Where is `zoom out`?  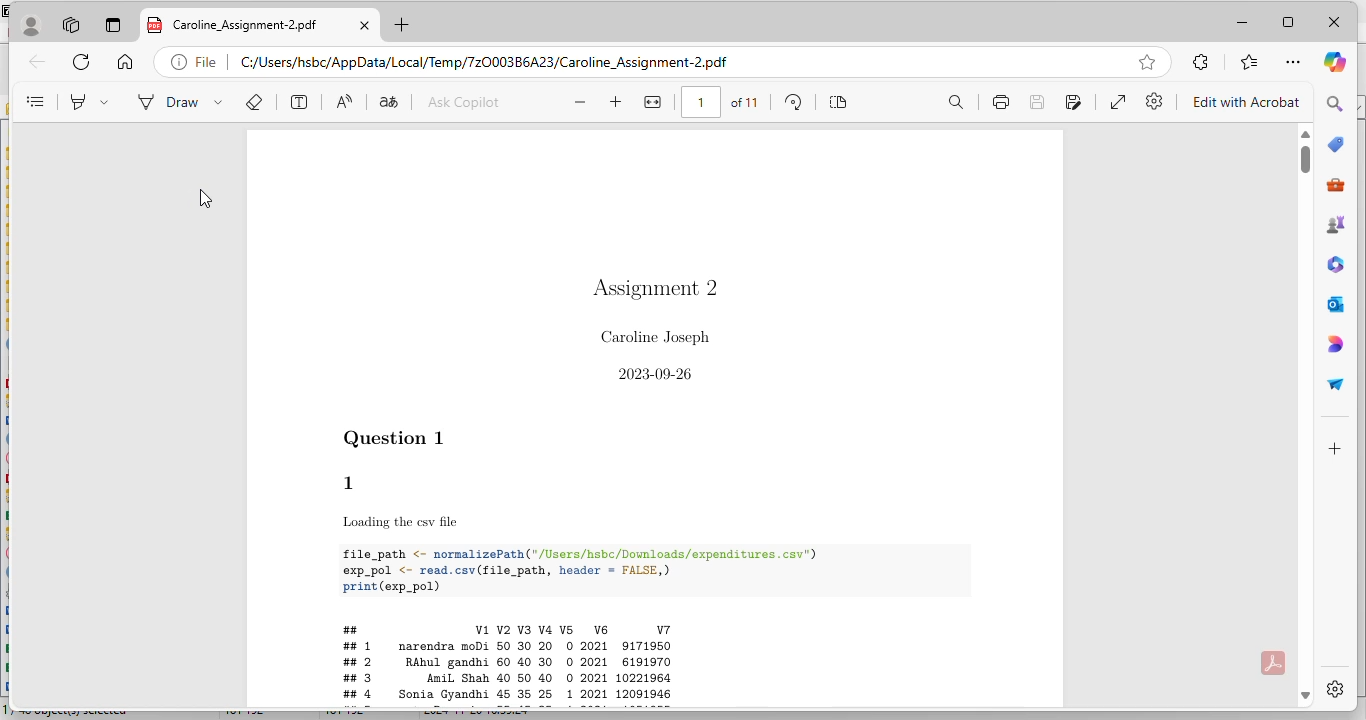 zoom out is located at coordinates (581, 102).